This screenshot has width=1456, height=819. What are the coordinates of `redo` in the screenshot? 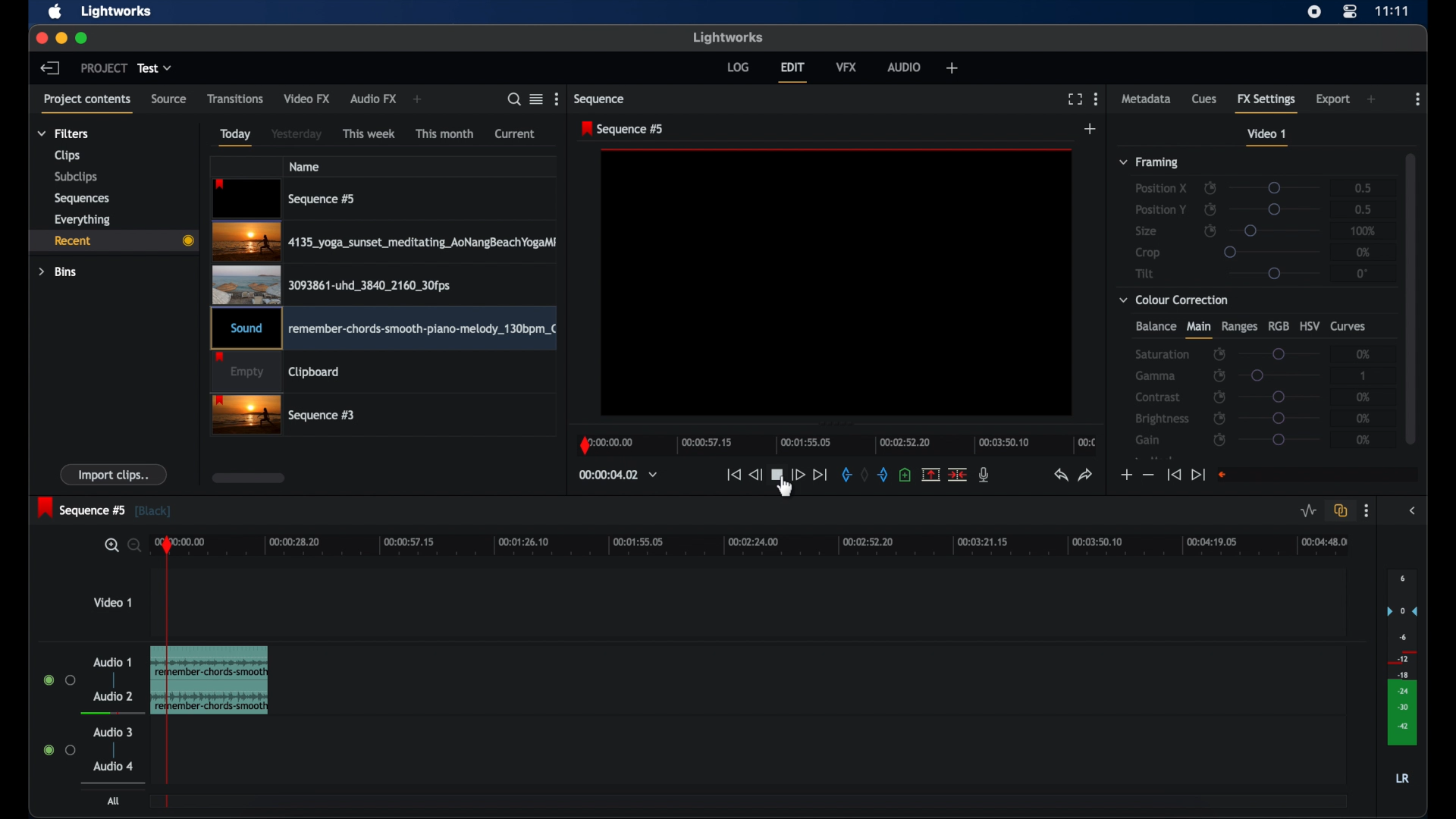 It's located at (1086, 475).